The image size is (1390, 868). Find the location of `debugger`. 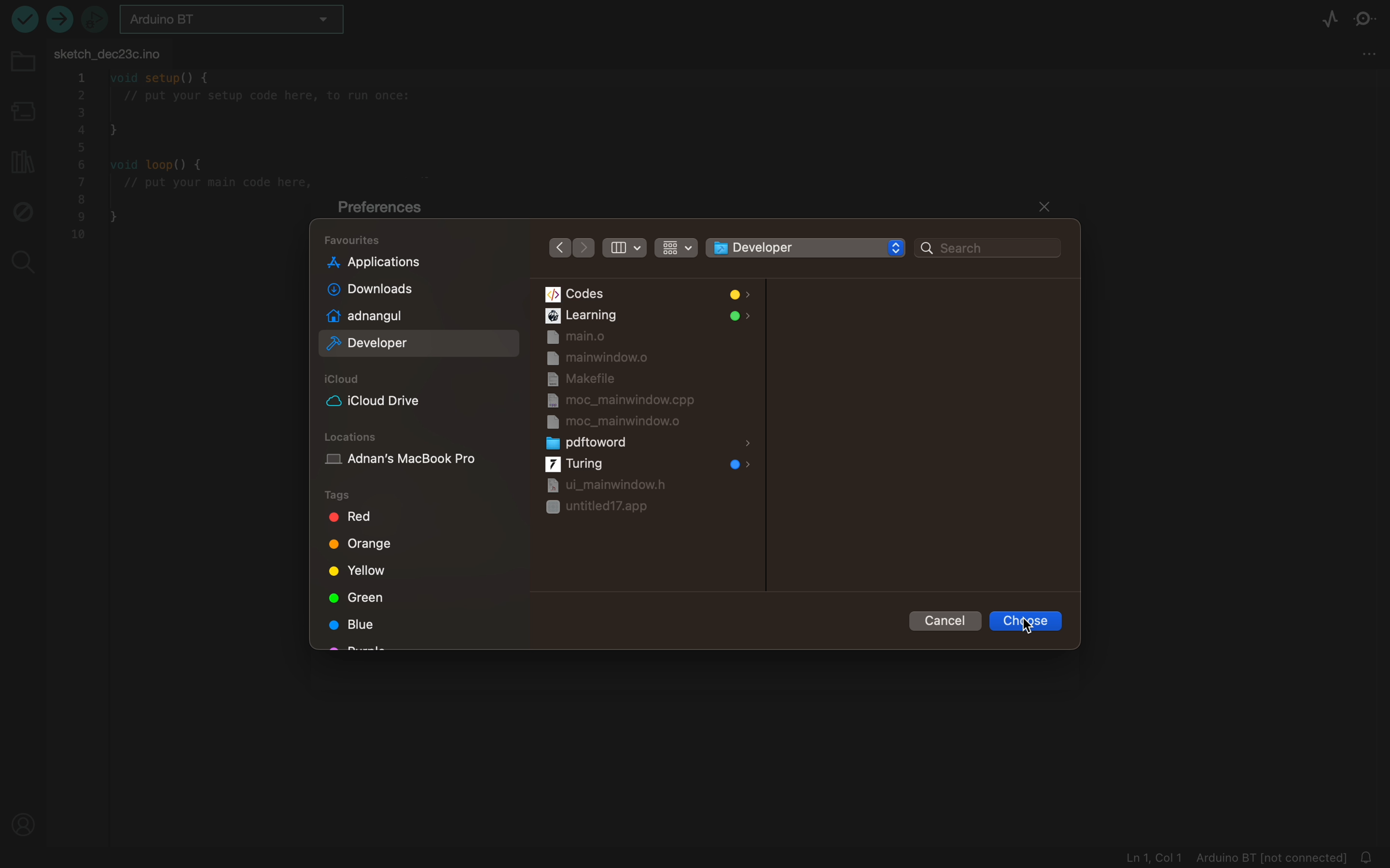

debugger is located at coordinates (98, 18).